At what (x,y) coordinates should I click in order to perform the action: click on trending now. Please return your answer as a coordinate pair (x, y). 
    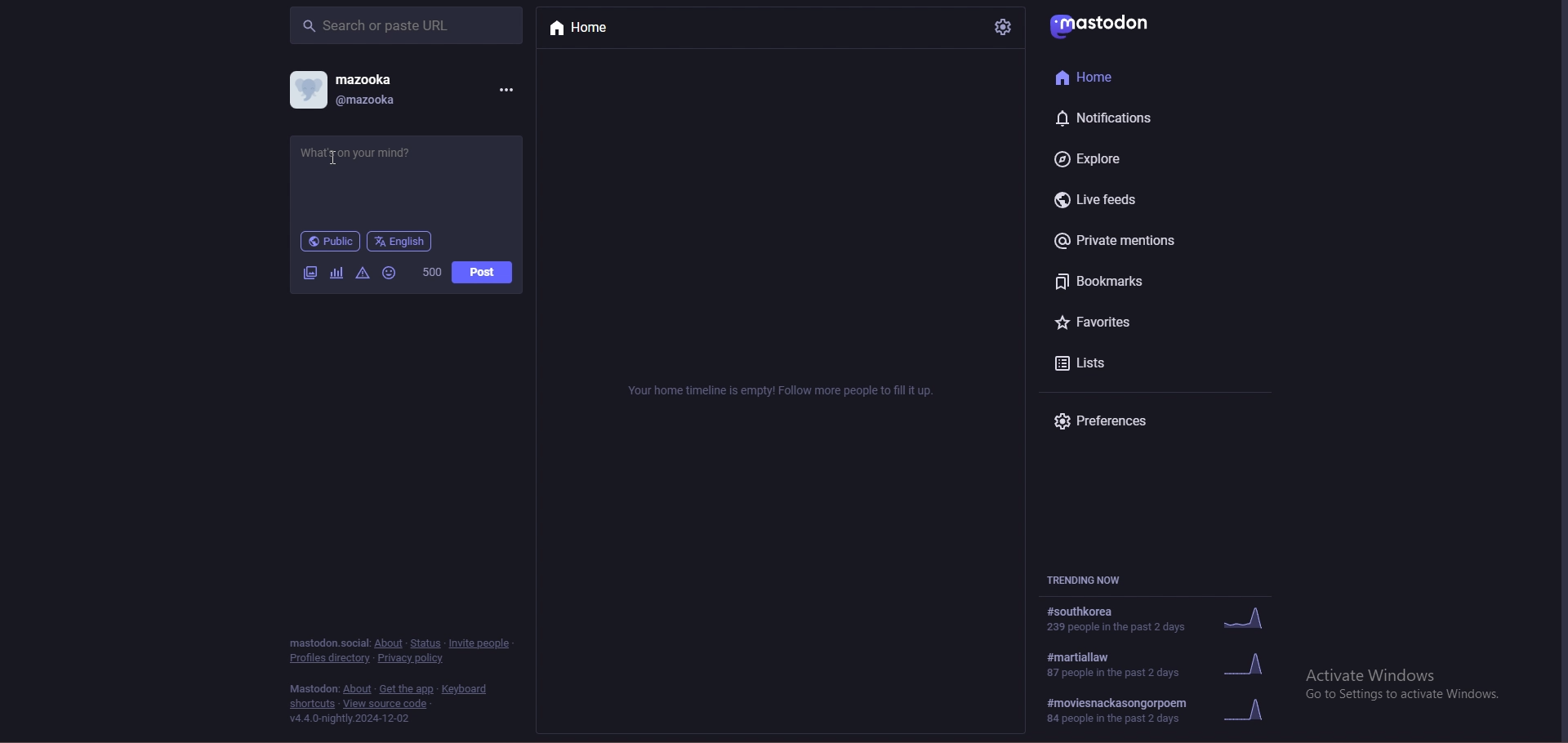
    Looking at the image, I should click on (1097, 581).